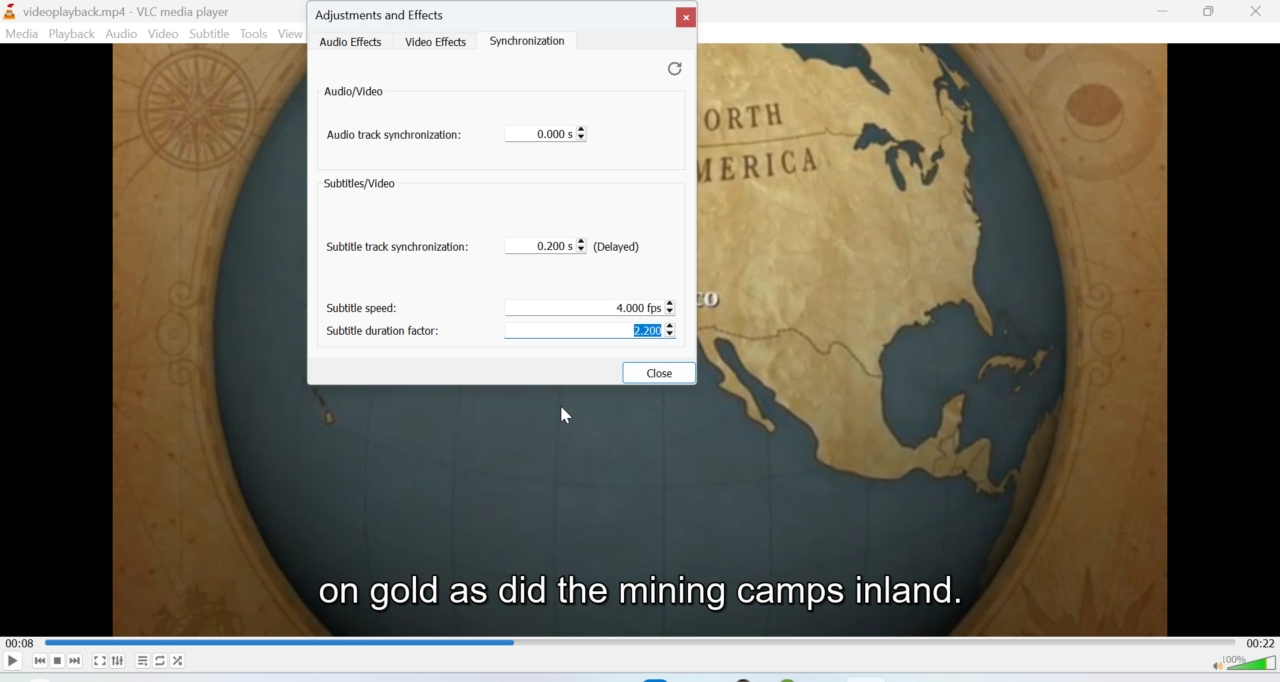 The image size is (1280, 682). I want to click on video effects, so click(435, 40).